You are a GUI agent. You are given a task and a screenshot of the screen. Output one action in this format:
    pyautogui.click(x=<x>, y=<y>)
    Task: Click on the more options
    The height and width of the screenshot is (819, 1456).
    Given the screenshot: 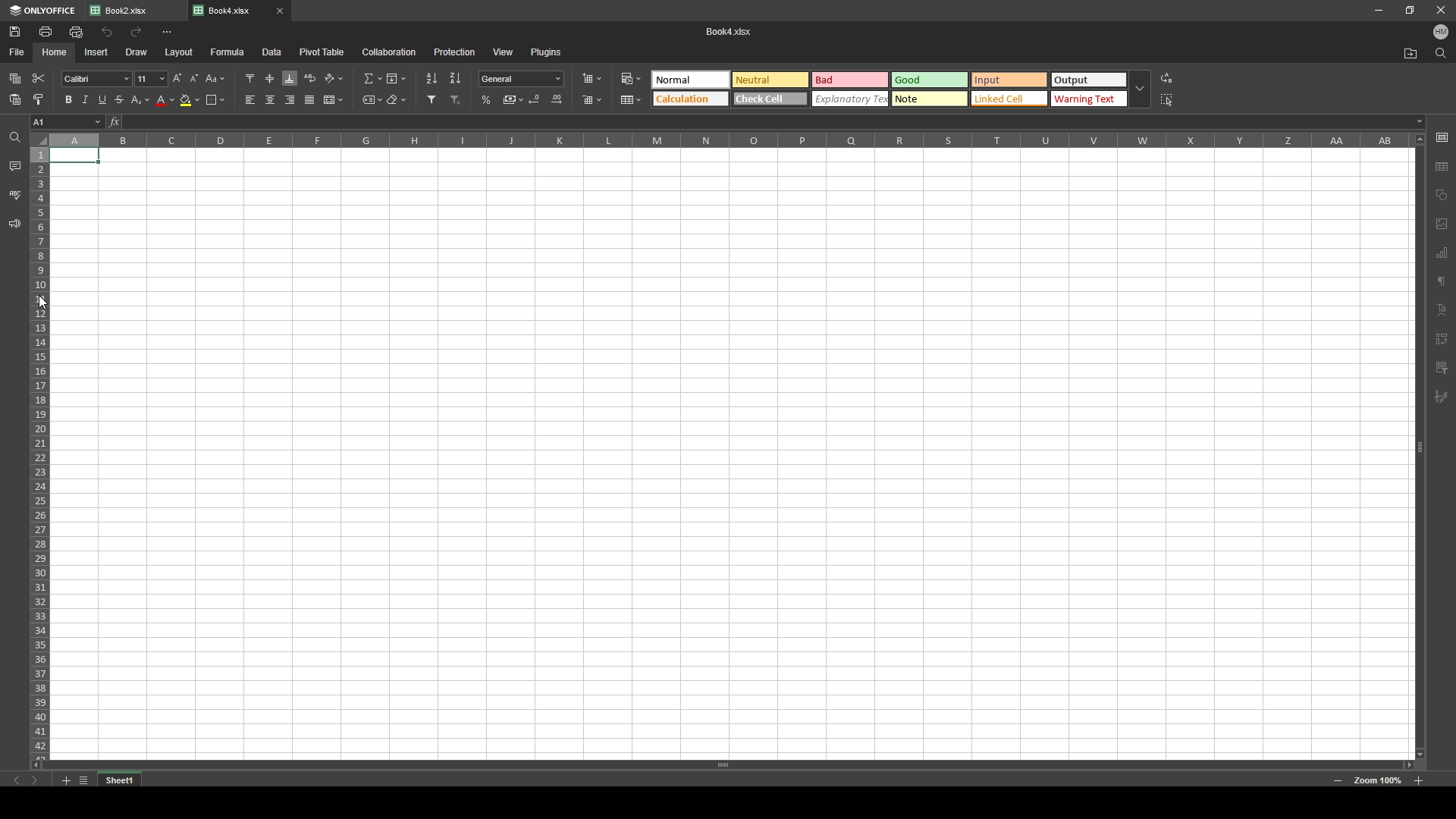 What is the action you would take?
    pyautogui.click(x=168, y=33)
    